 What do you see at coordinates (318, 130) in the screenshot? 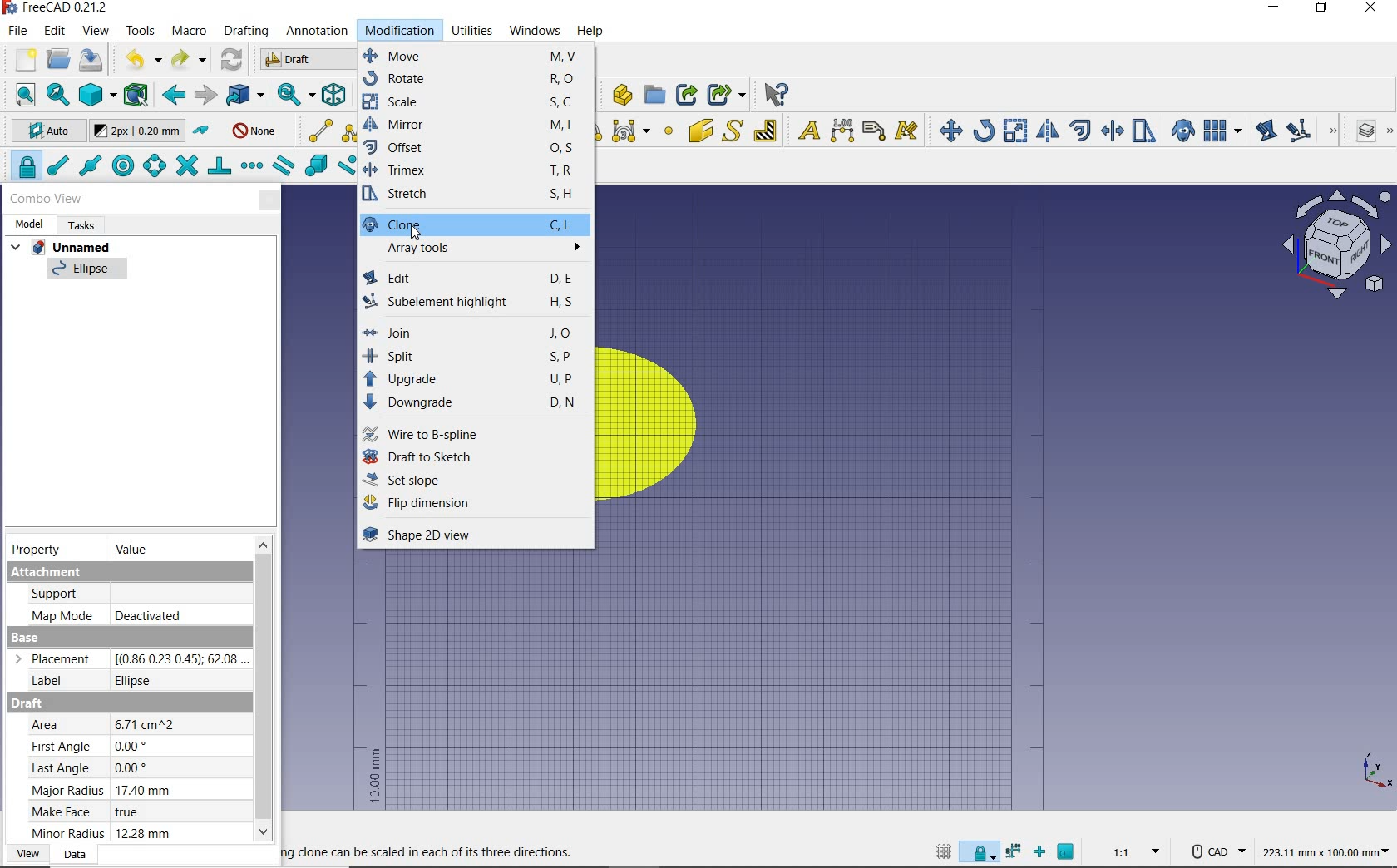
I see `line` at bounding box center [318, 130].